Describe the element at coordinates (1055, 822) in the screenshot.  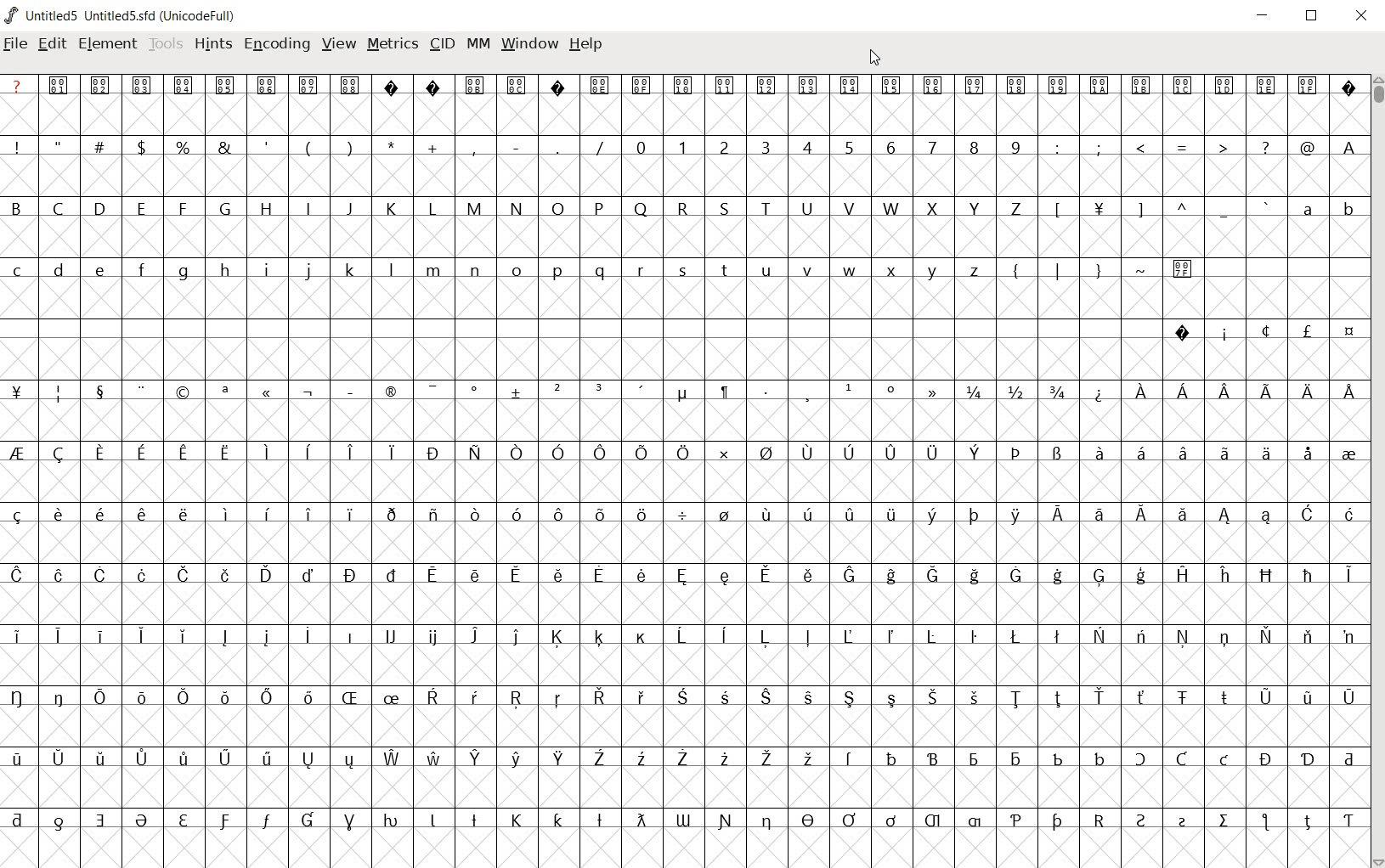
I see `Symbol` at that location.